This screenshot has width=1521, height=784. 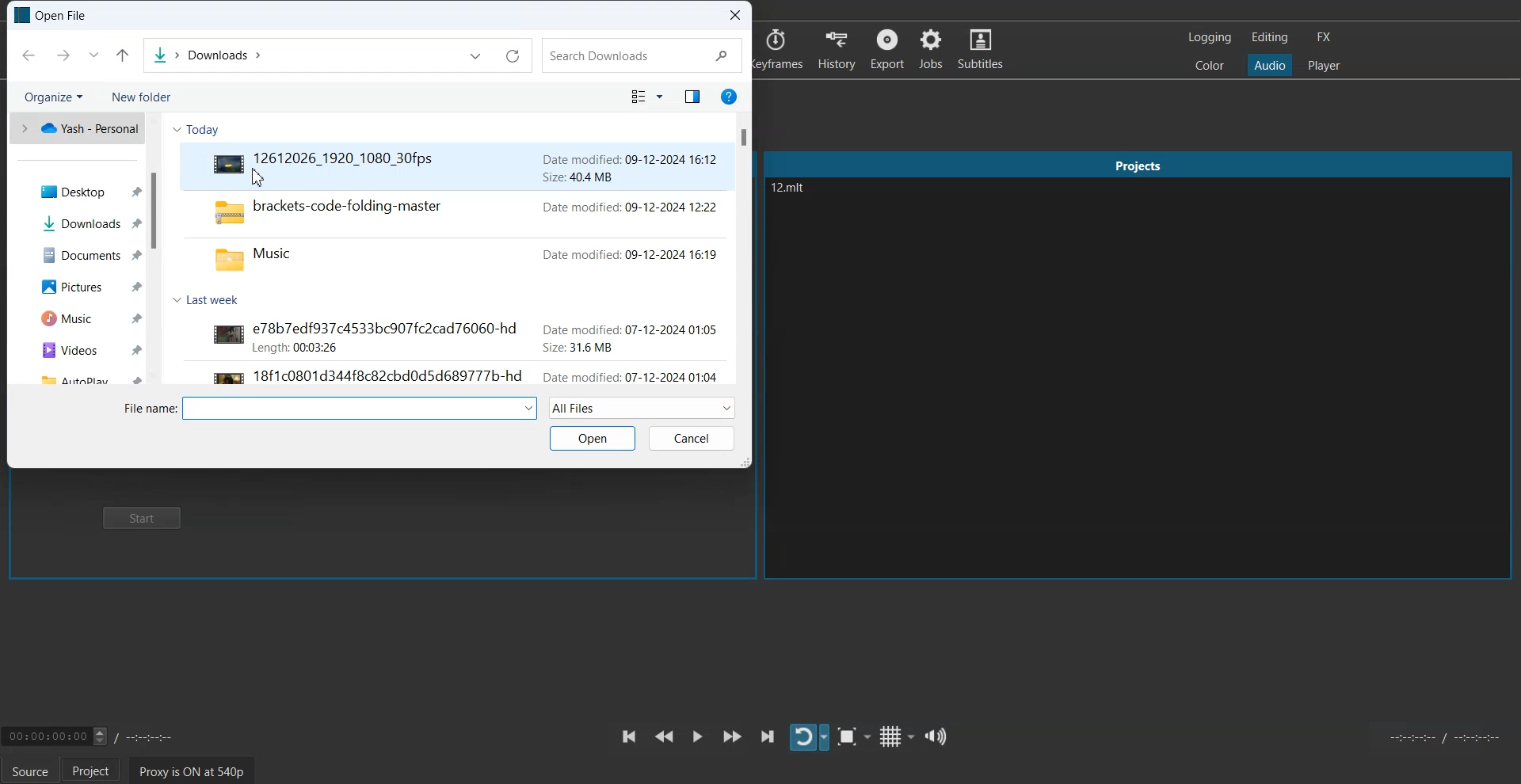 What do you see at coordinates (155, 249) in the screenshot?
I see `Vertical Scroll bar` at bounding box center [155, 249].